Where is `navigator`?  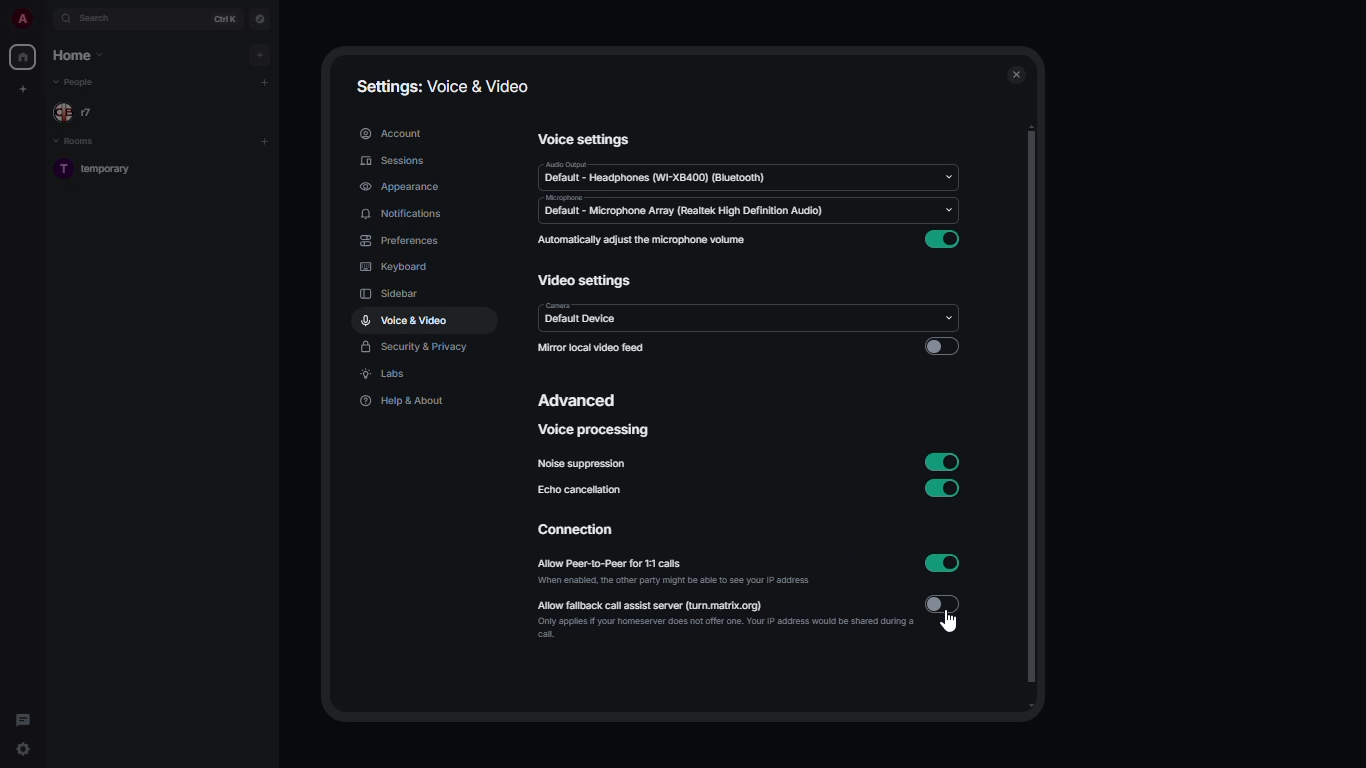
navigator is located at coordinates (259, 18).